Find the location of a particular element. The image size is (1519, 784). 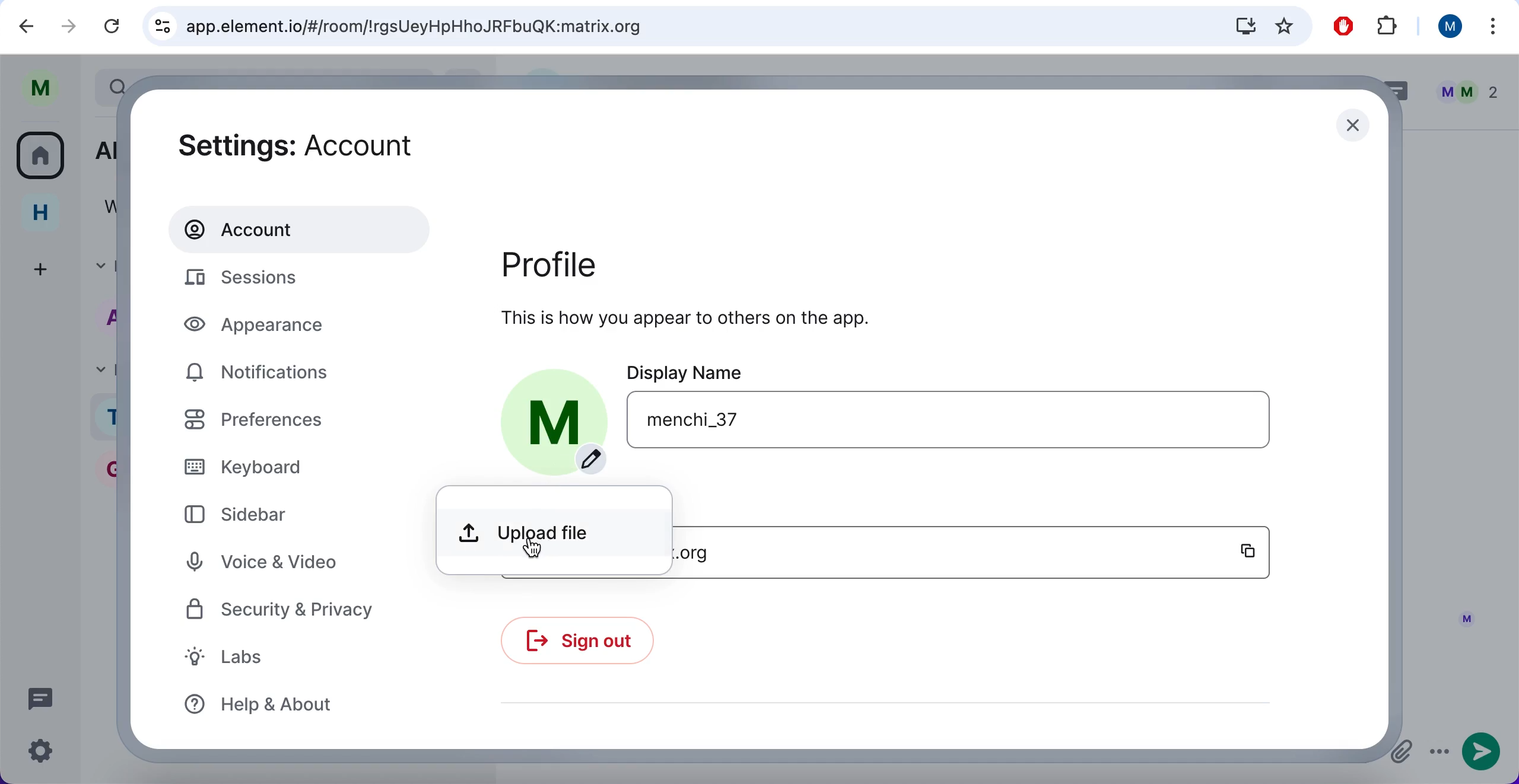

copy is located at coordinates (1244, 552).